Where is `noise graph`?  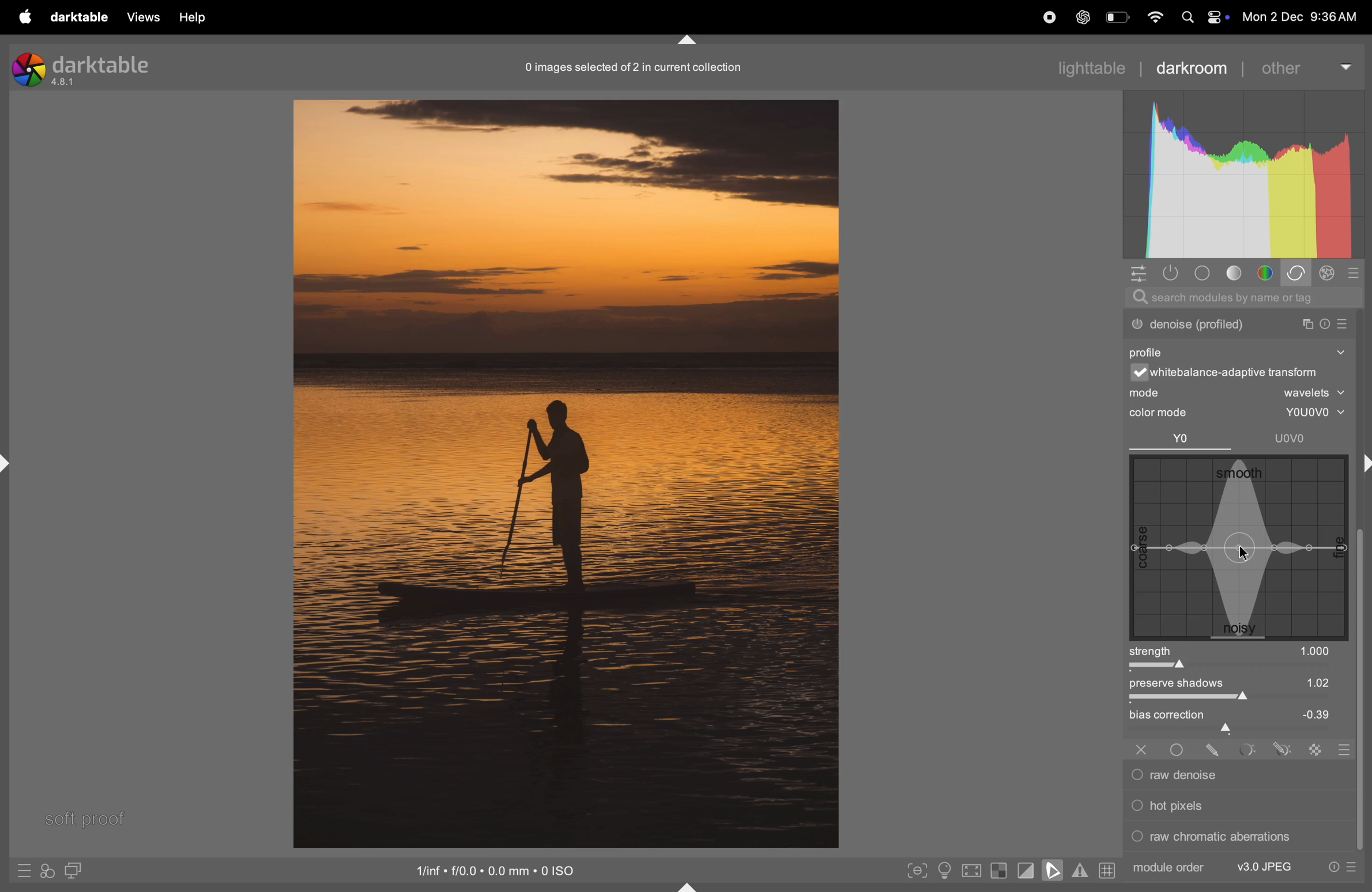
noise graph is located at coordinates (1238, 547).